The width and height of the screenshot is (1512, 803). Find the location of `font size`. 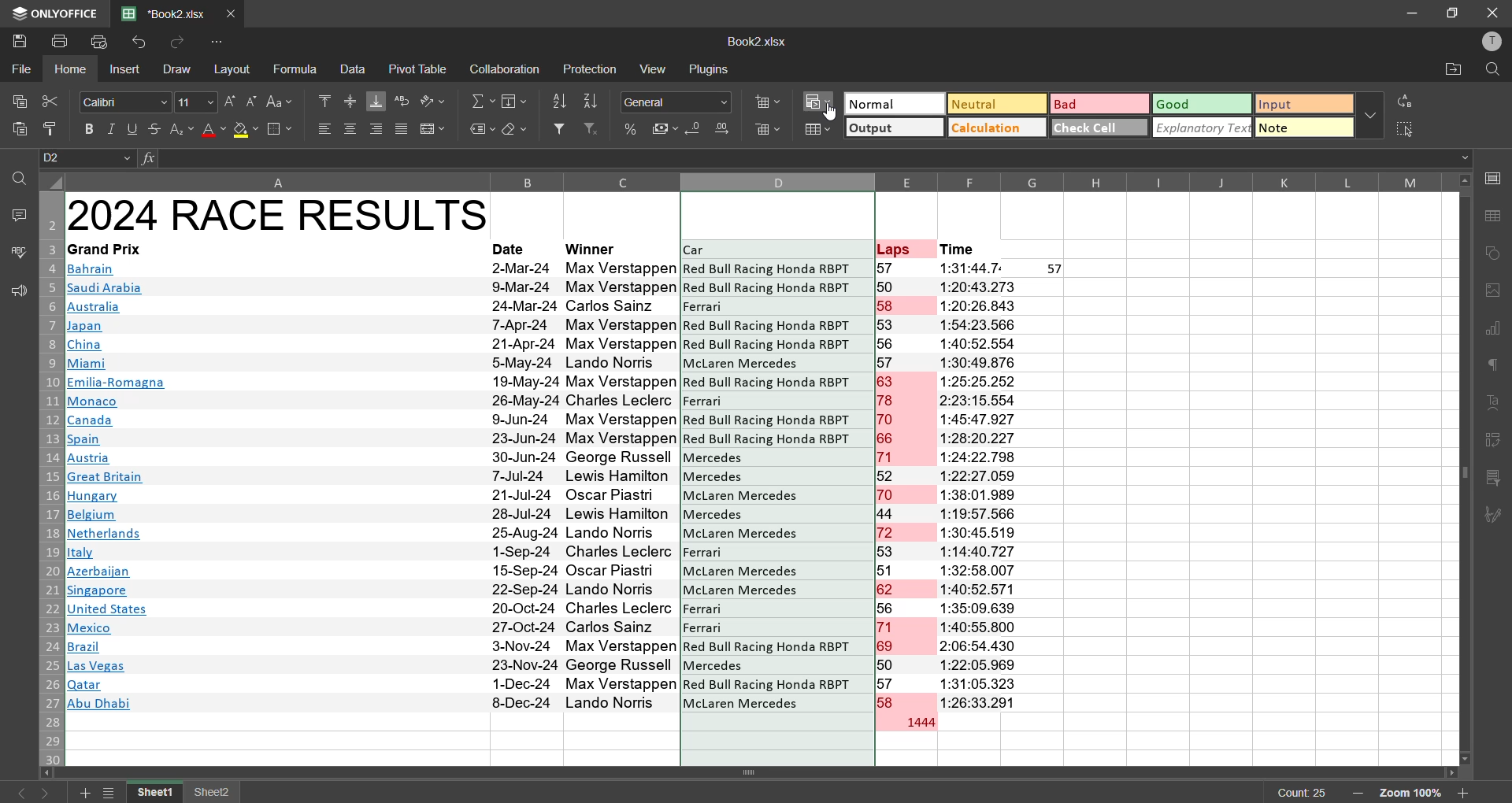

font size is located at coordinates (194, 101).